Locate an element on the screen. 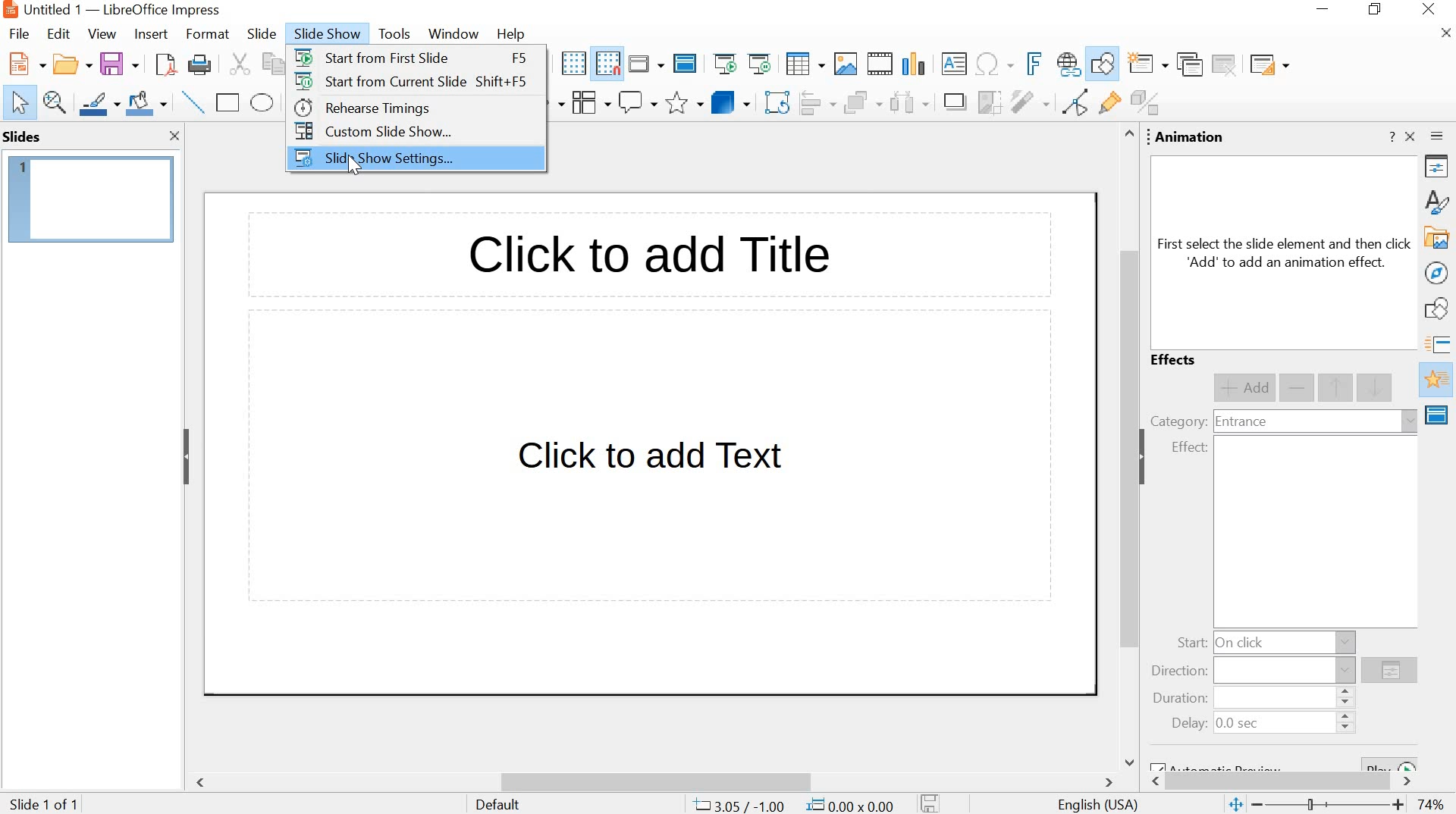  ellipse is located at coordinates (262, 103).